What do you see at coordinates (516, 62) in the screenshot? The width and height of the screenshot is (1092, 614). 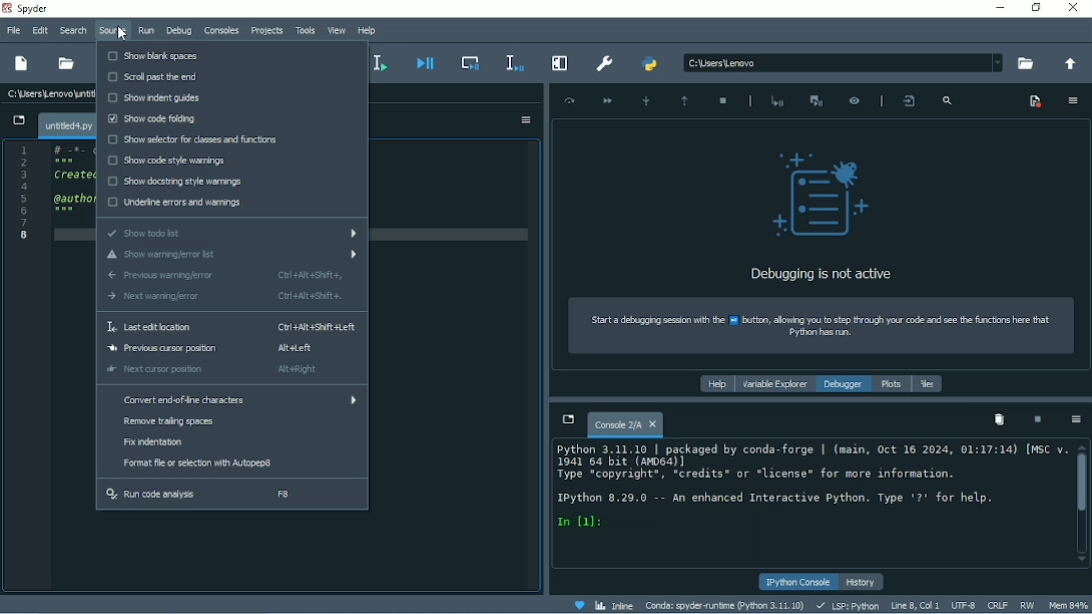 I see `Debug selection or current line` at bounding box center [516, 62].